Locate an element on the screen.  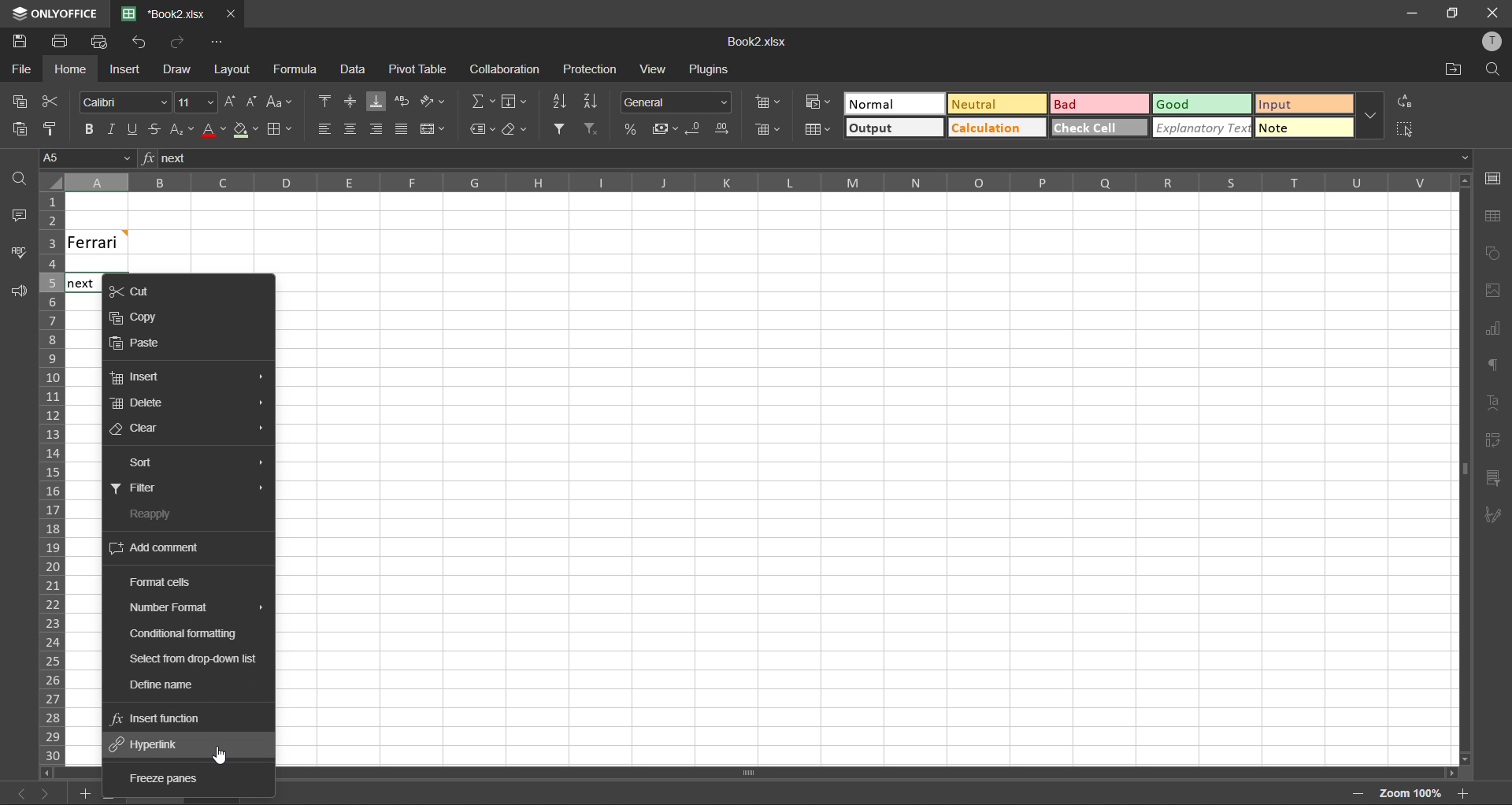
Next is located at coordinates (80, 284).